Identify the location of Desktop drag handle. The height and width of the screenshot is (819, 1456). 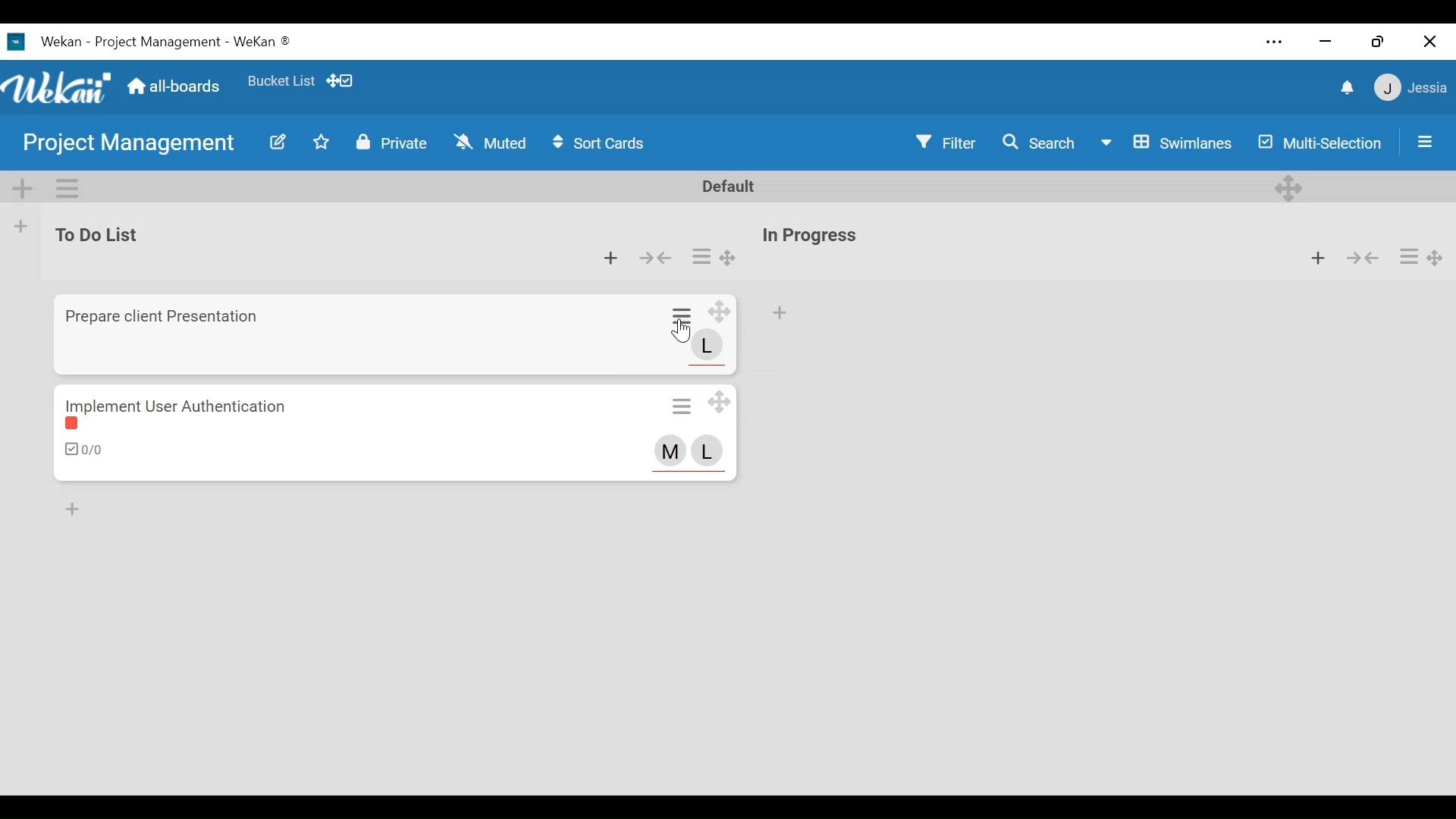
(718, 400).